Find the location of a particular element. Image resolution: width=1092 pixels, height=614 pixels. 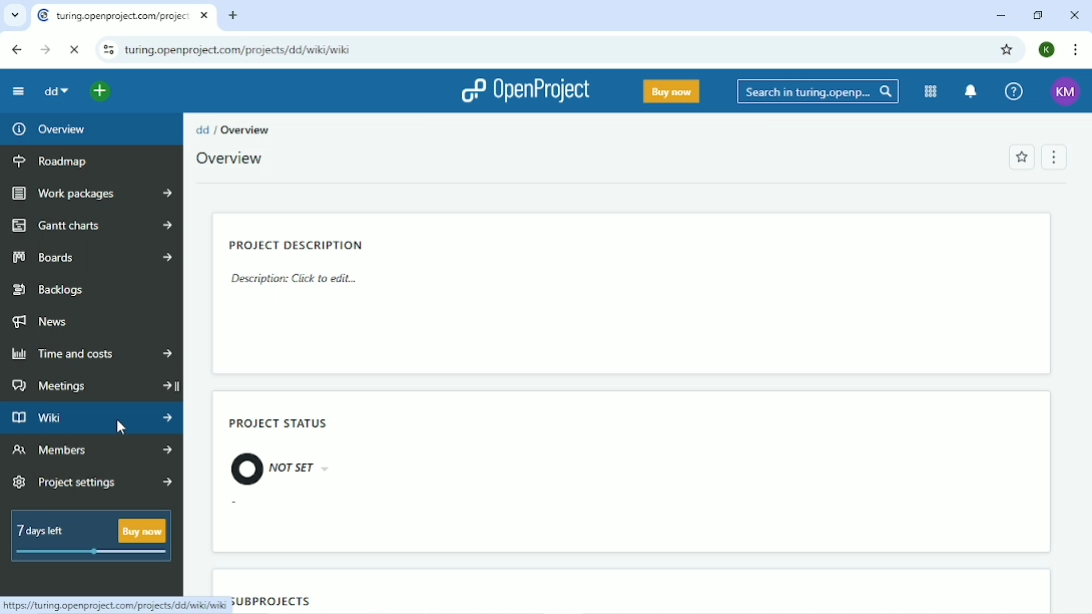

Time and costs is located at coordinates (91, 353).